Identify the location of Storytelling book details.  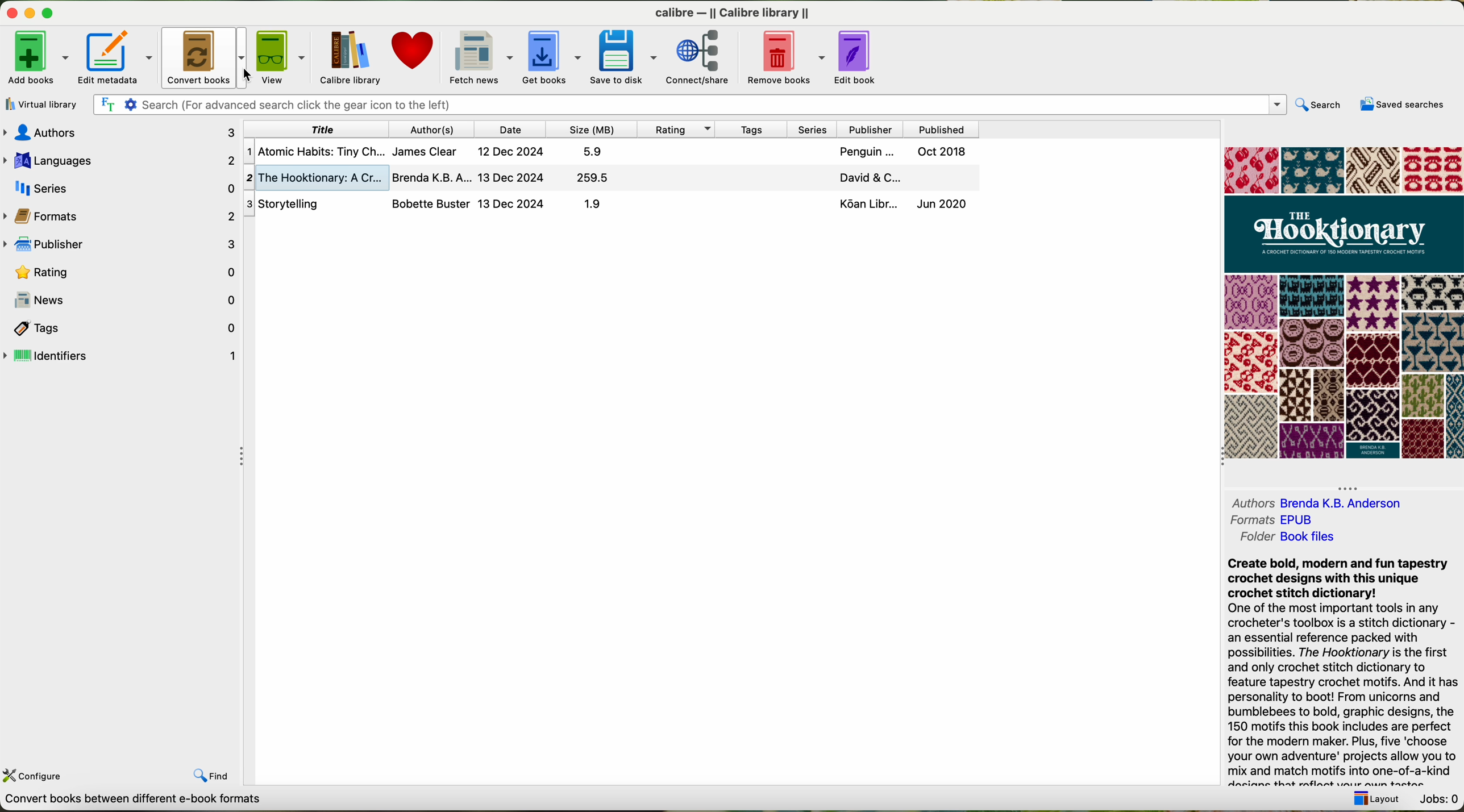
(606, 205).